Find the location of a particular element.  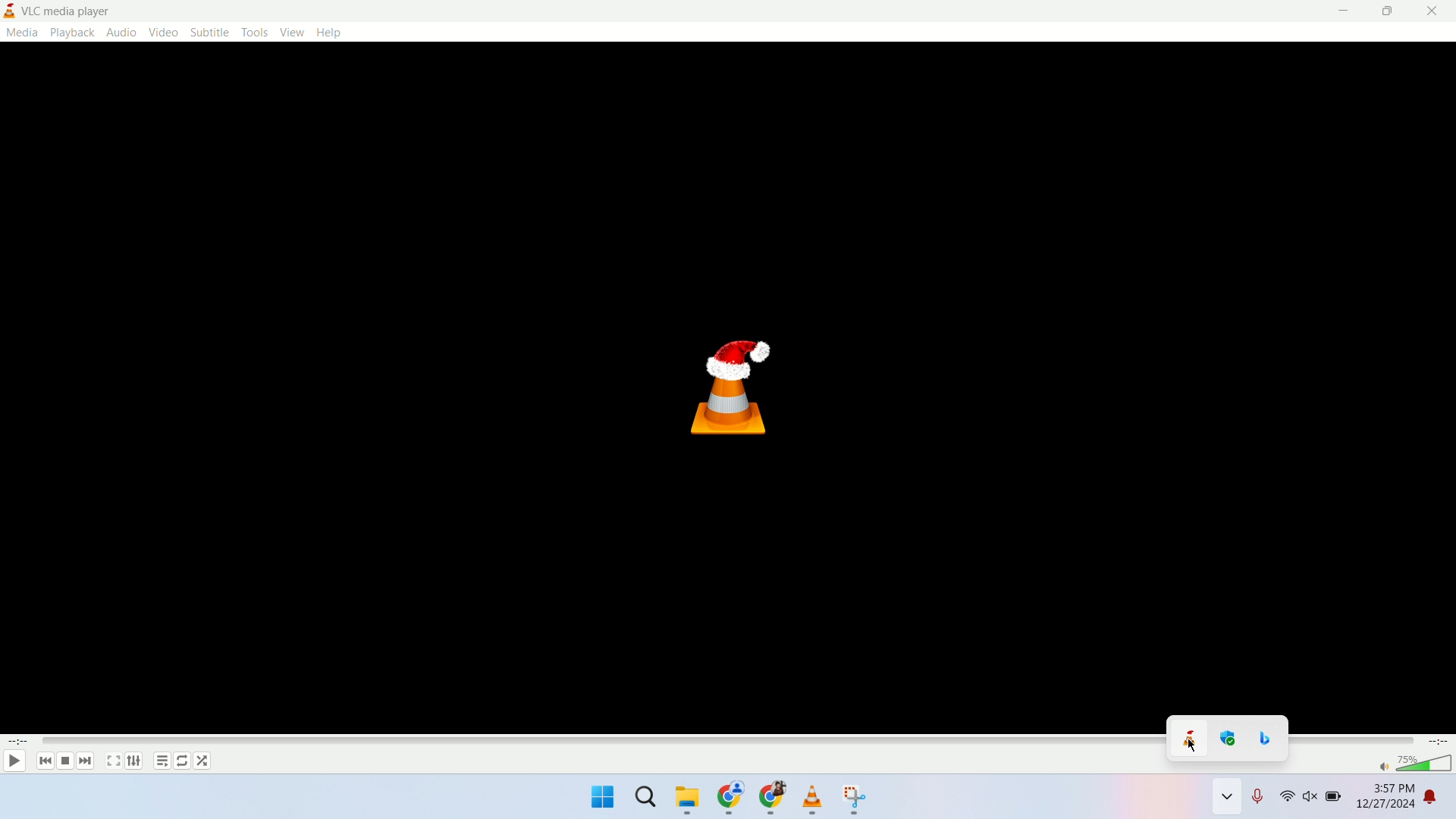

maximize is located at coordinates (1390, 11).